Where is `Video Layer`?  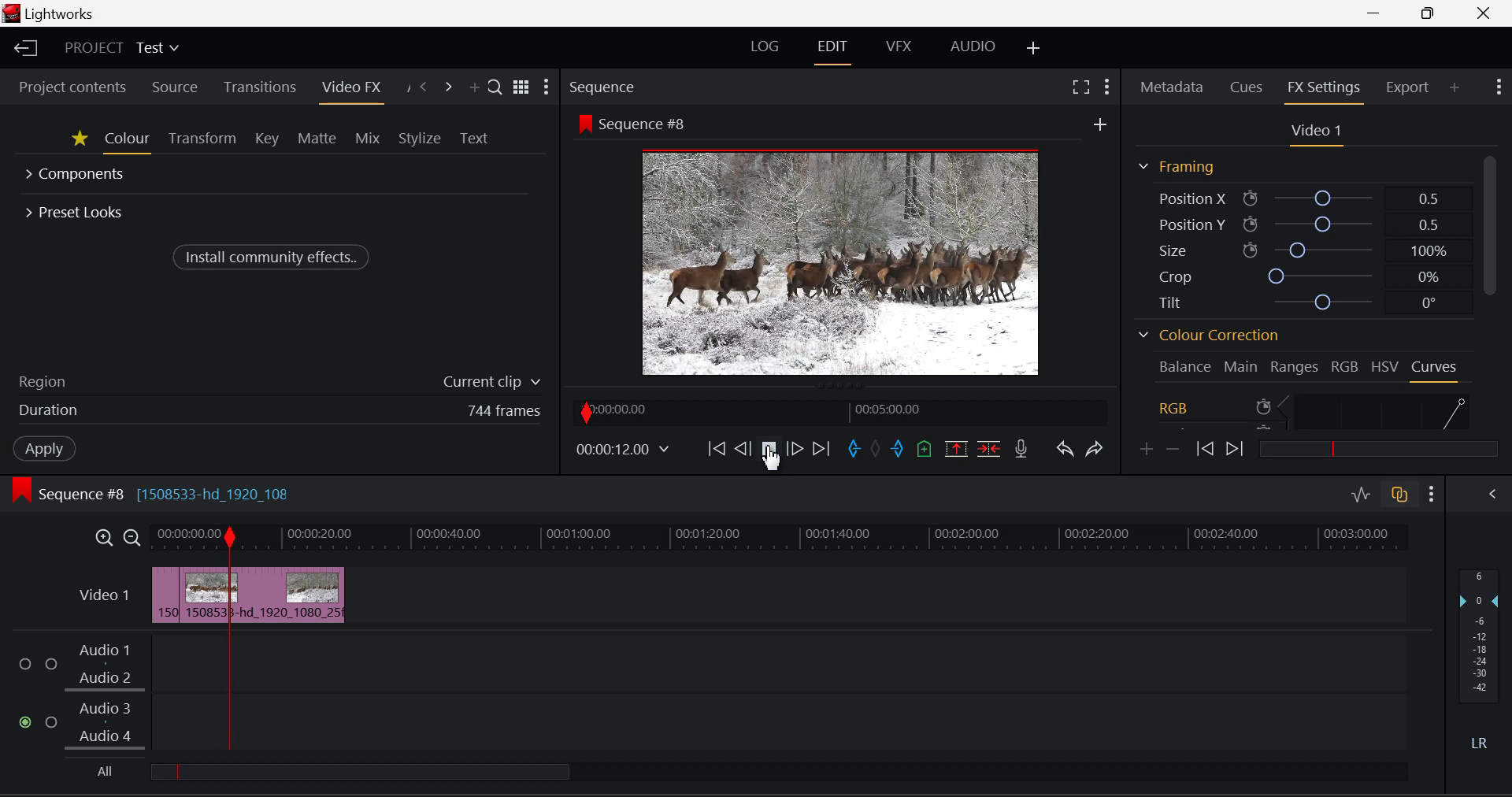
Video Layer is located at coordinates (104, 599).